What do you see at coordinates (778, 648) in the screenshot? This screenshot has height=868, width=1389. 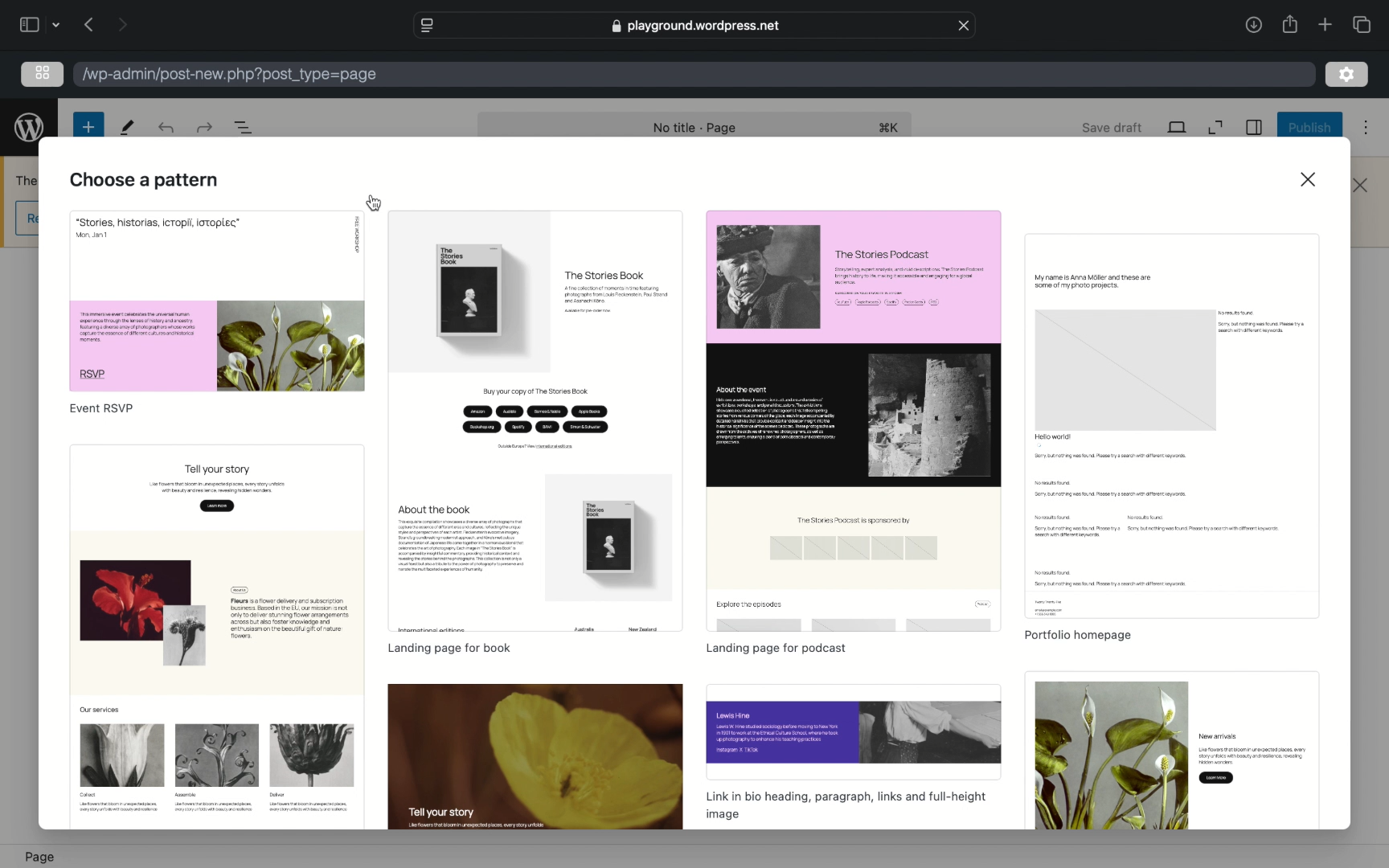 I see `landing page for podcast` at bounding box center [778, 648].